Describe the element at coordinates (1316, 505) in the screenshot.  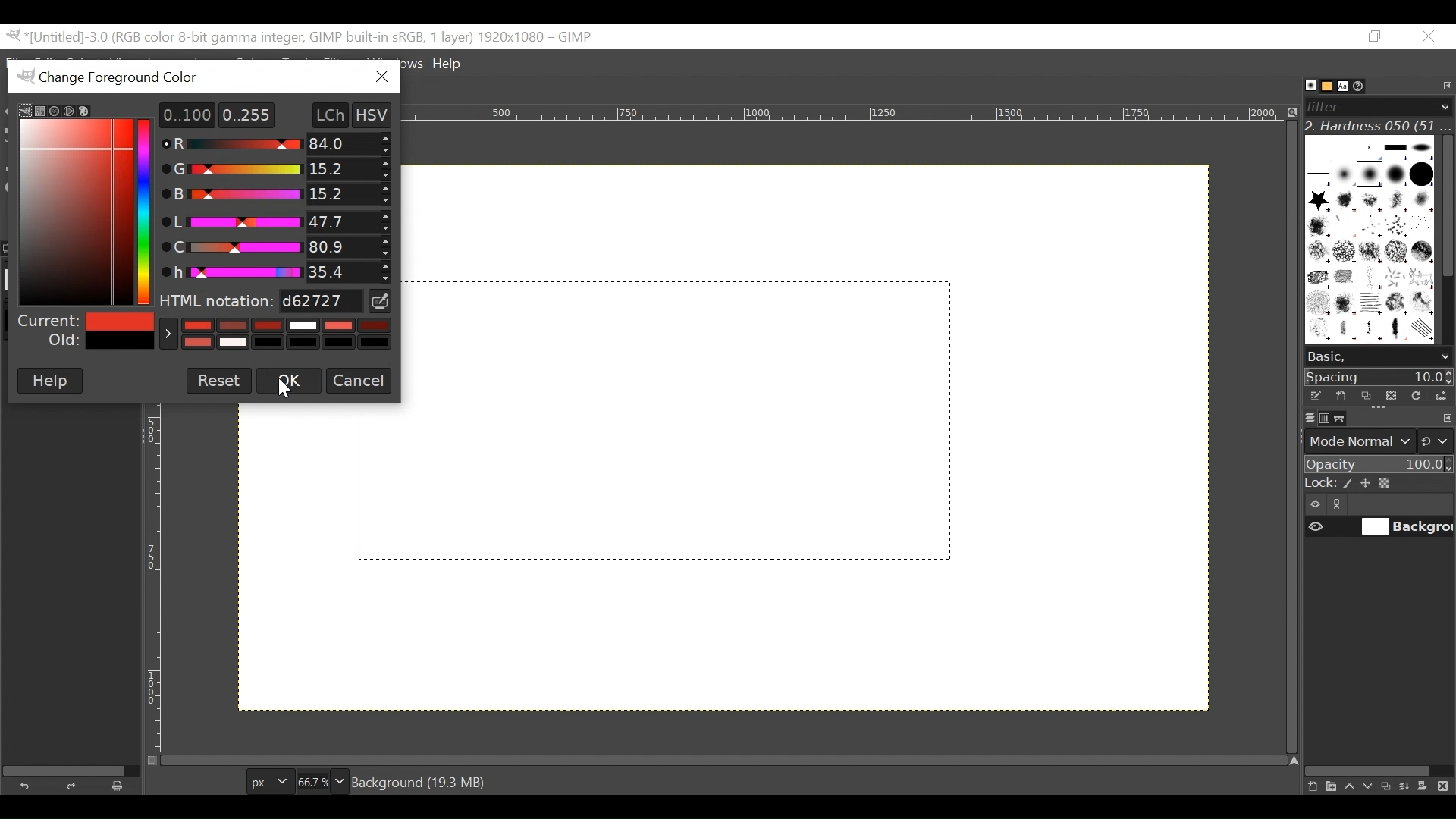
I see `Item visibility` at that location.